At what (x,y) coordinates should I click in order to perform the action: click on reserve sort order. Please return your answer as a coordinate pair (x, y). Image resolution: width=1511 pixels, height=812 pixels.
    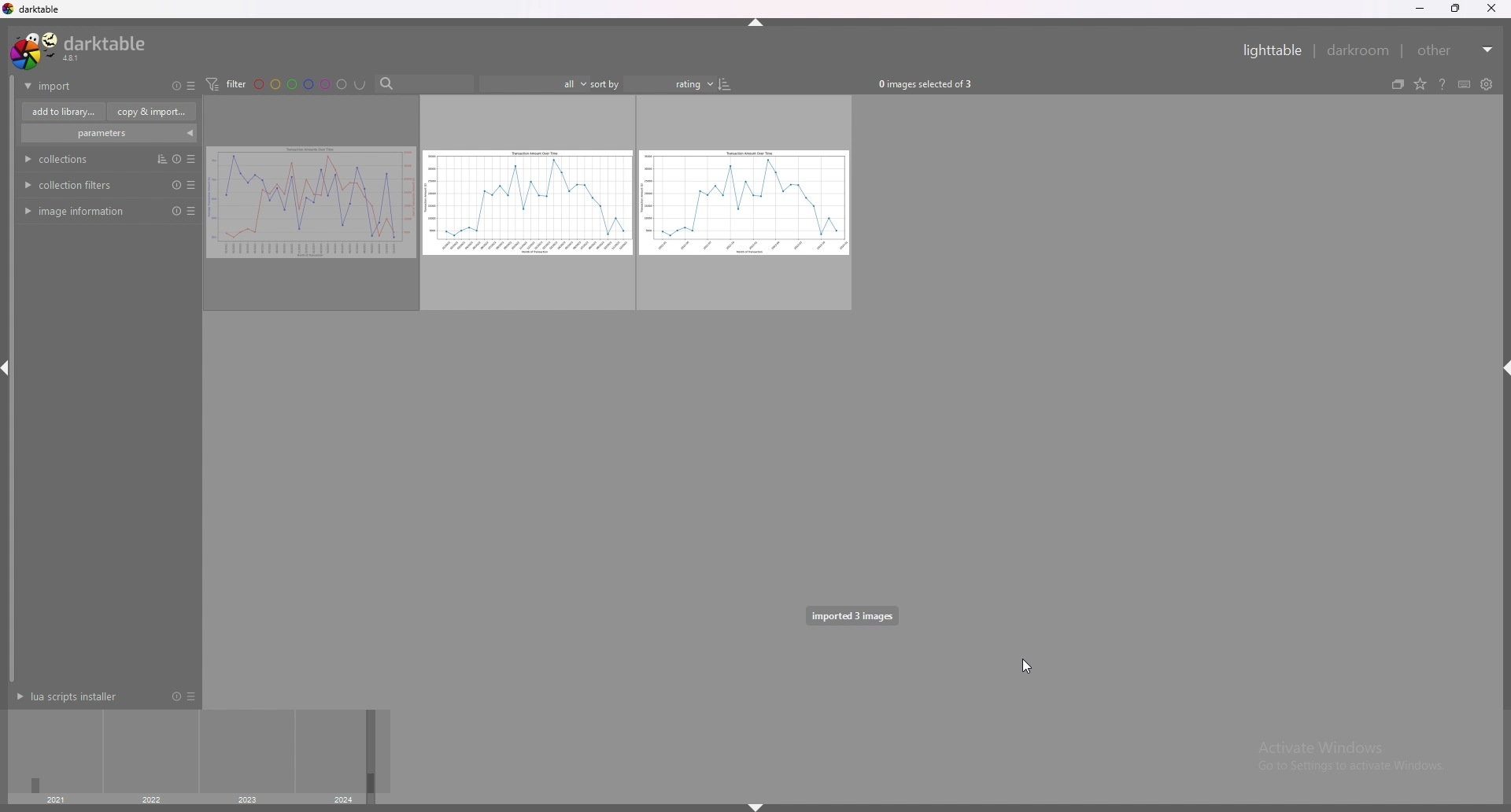
    Looking at the image, I should click on (726, 83).